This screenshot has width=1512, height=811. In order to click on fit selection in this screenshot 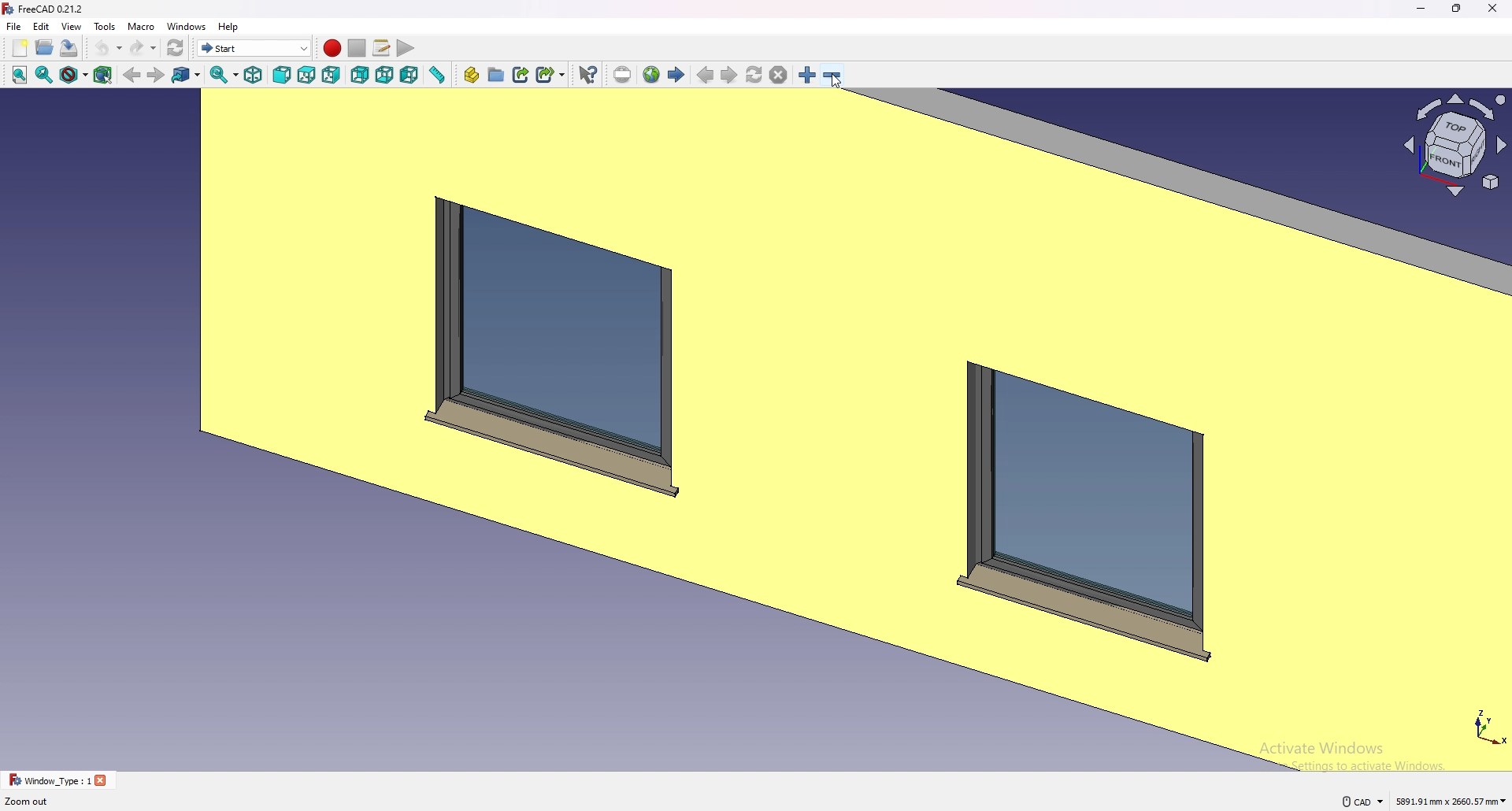, I will do `click(45, 74)`.